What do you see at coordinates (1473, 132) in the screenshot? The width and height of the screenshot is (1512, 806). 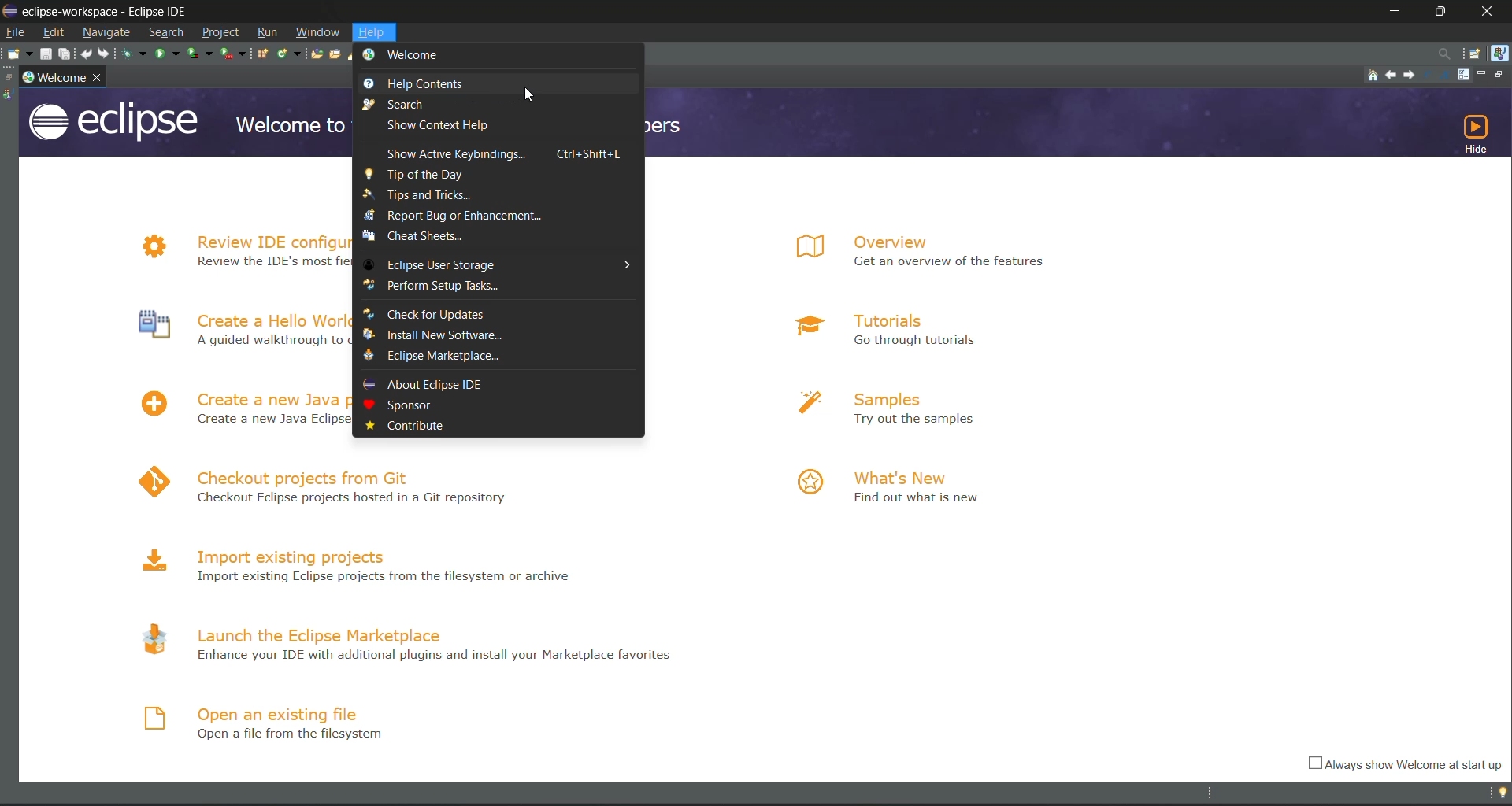 I see `hide` at bounding box center [1473, 132].